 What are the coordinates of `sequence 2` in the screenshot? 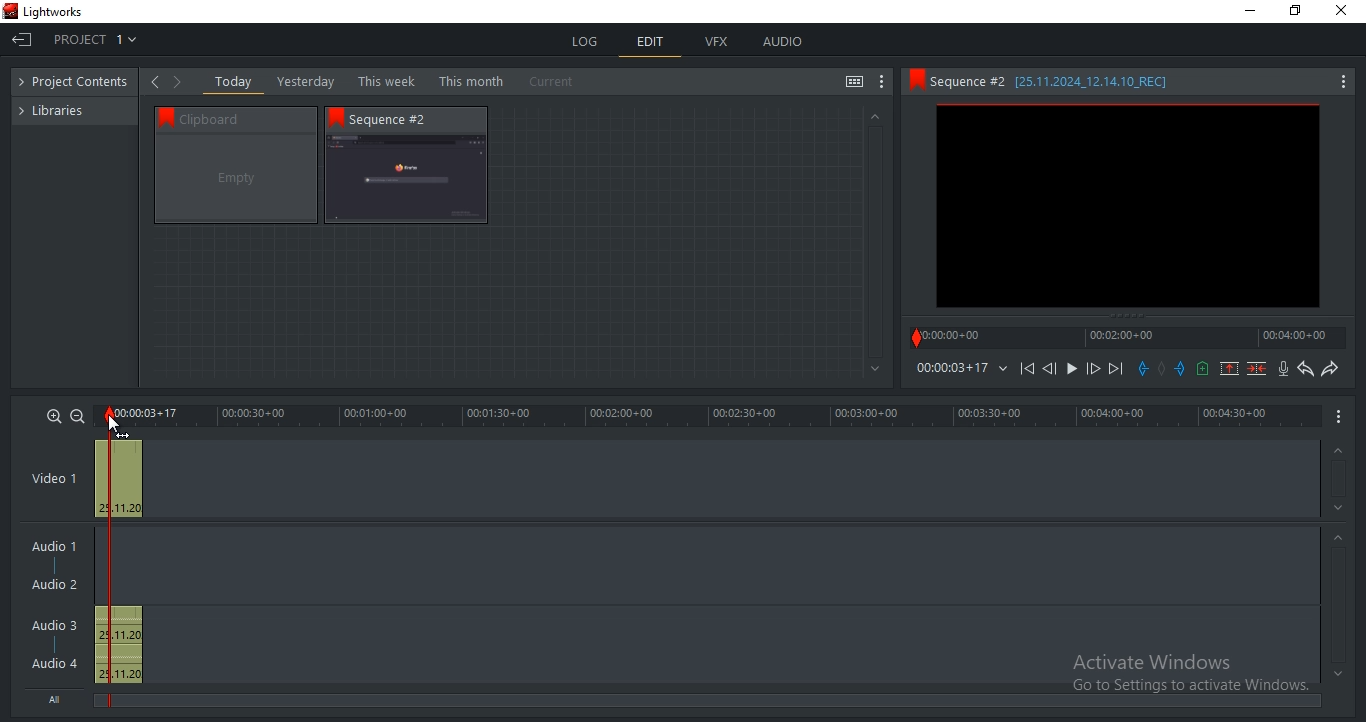 It's located at (406, 180).